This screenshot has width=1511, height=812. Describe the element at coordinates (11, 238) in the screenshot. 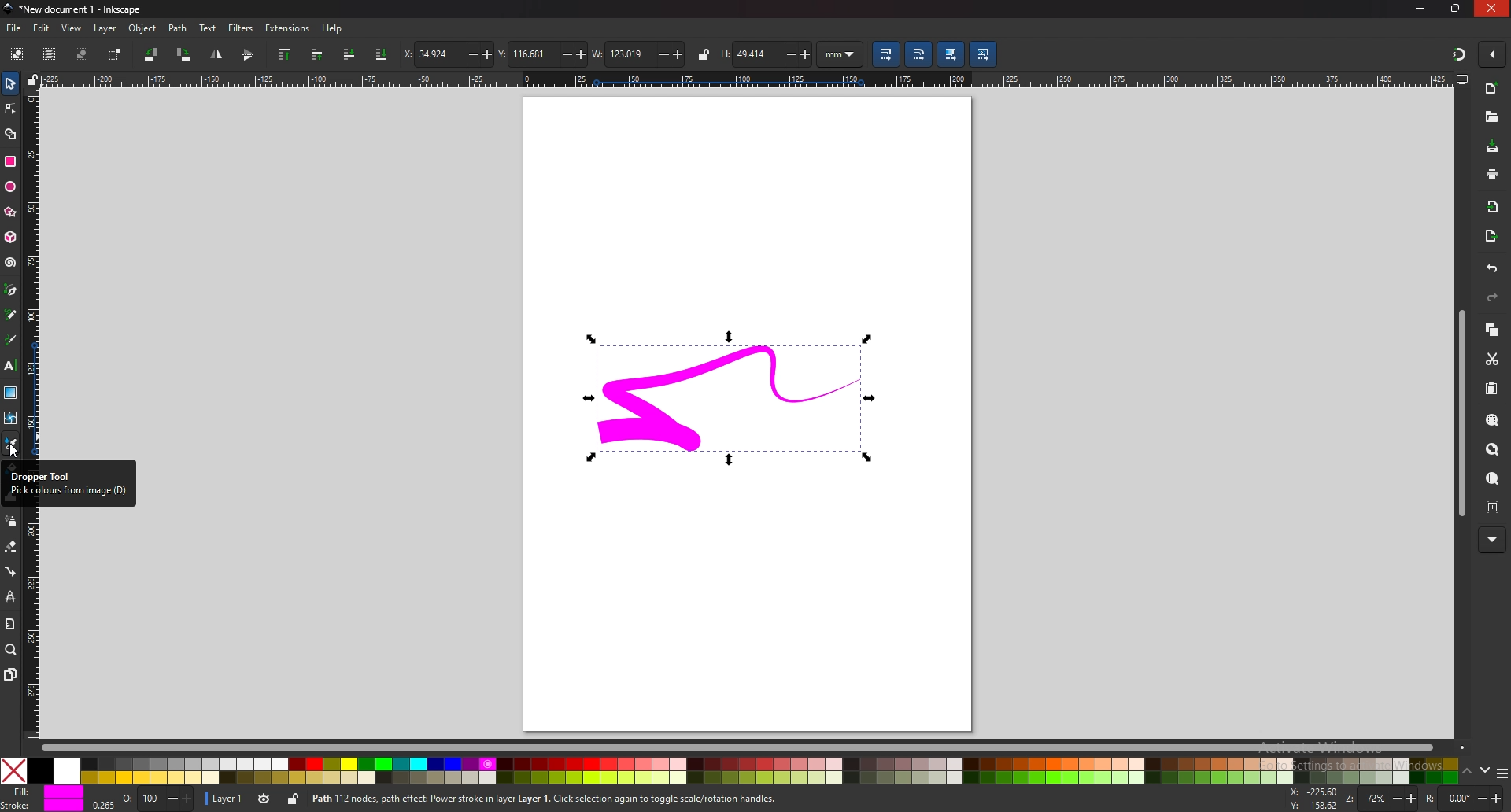

I see `3d box` at that location.